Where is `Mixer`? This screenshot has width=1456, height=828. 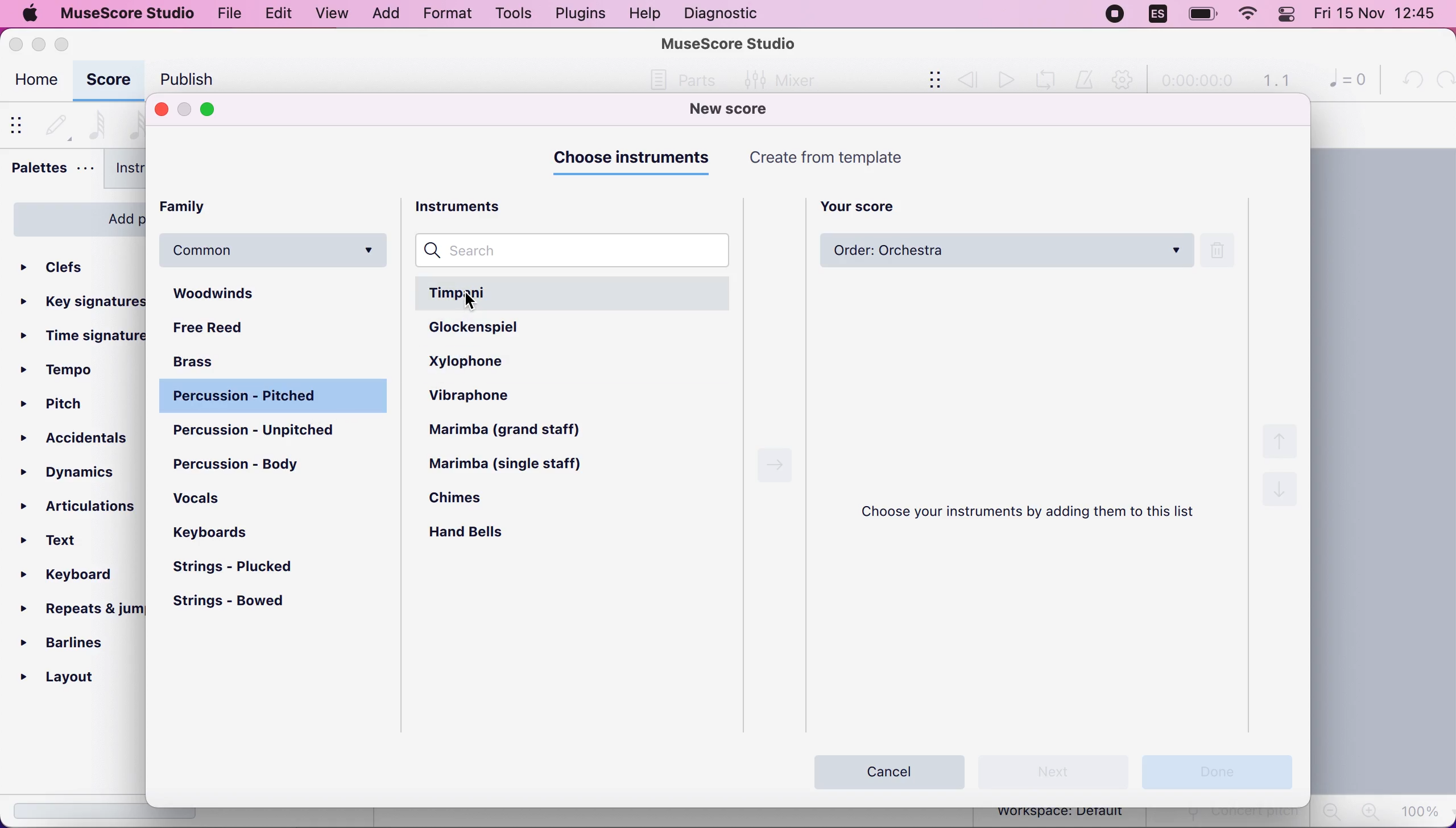 Mixer is located at coordinates (776, 78).